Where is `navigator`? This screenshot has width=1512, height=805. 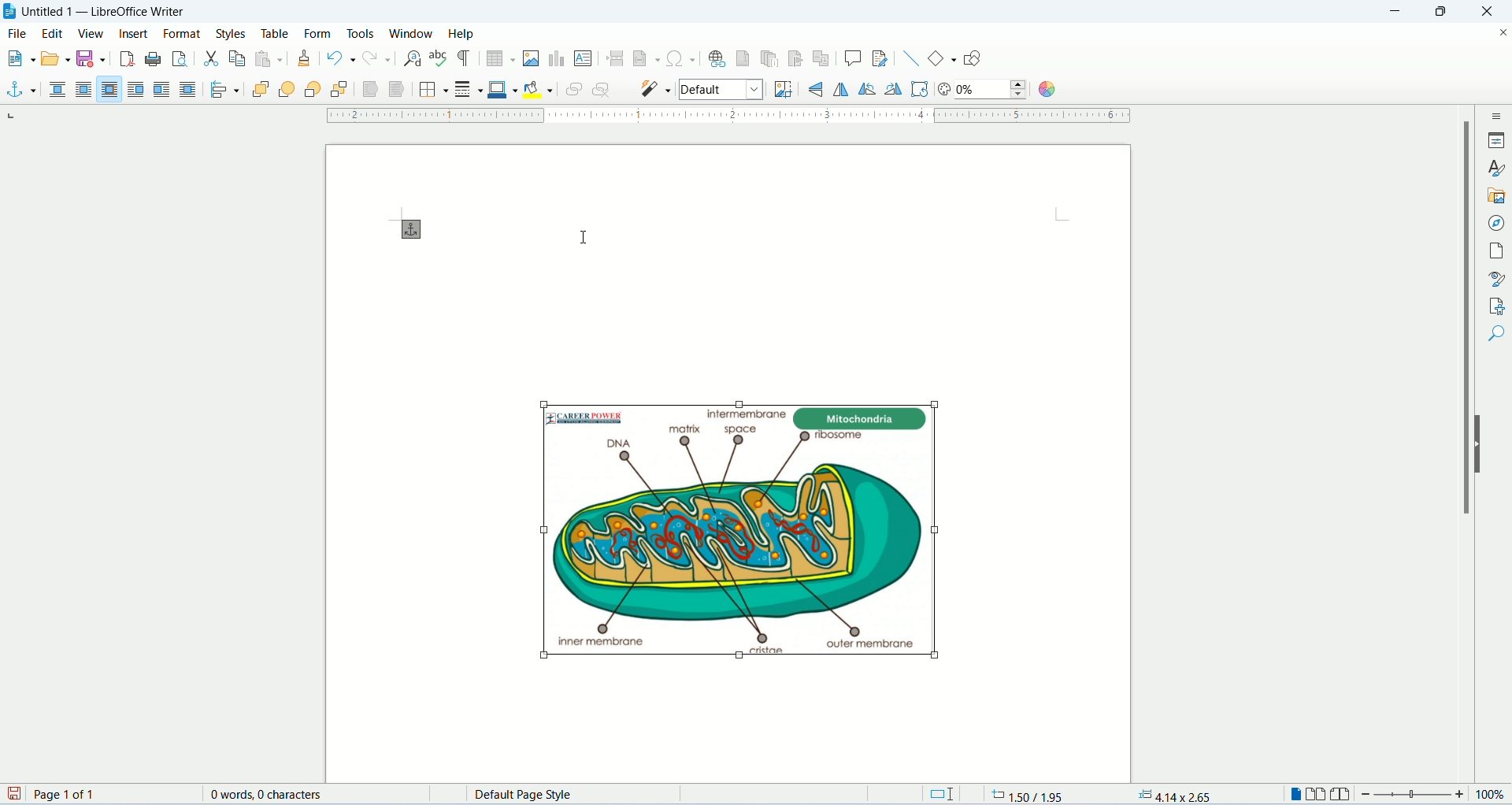 navigator is located at coordinates (1497, 224).